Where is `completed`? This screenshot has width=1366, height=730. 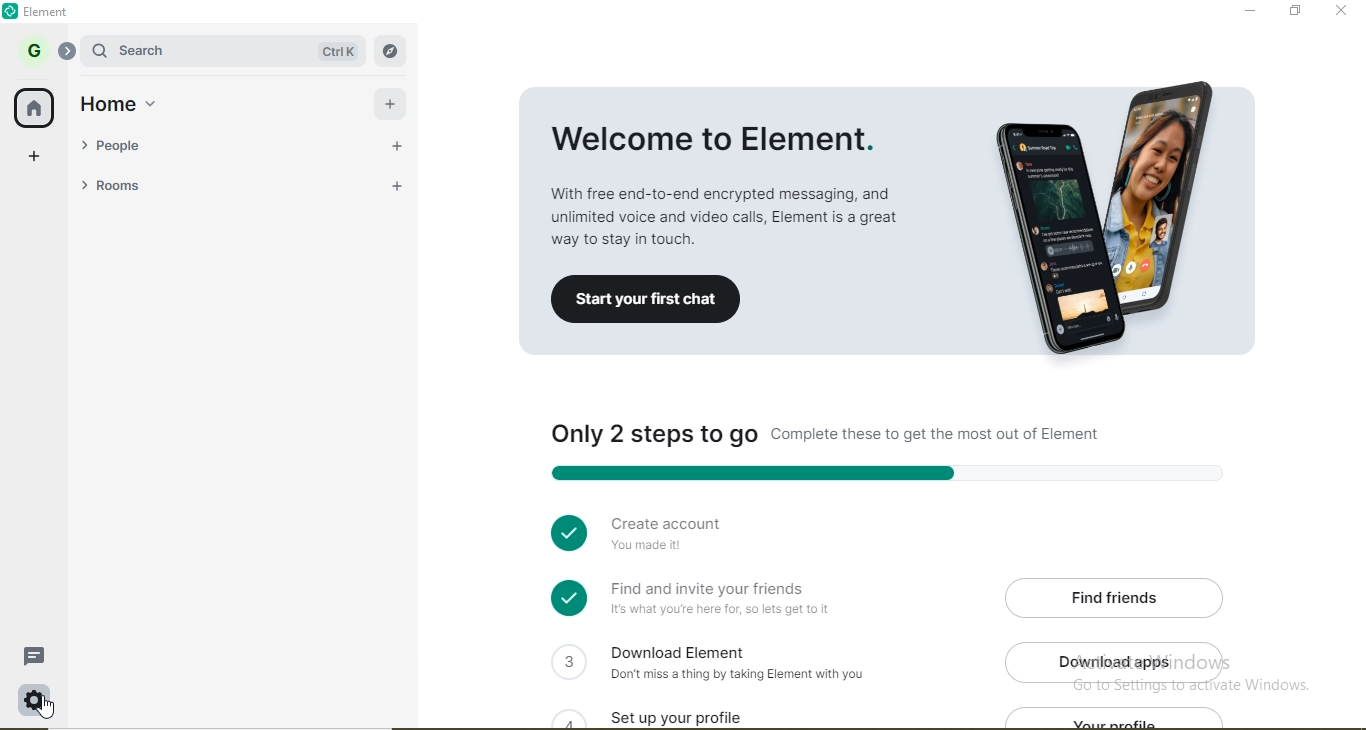 completed is located at coordinates (564, 530).